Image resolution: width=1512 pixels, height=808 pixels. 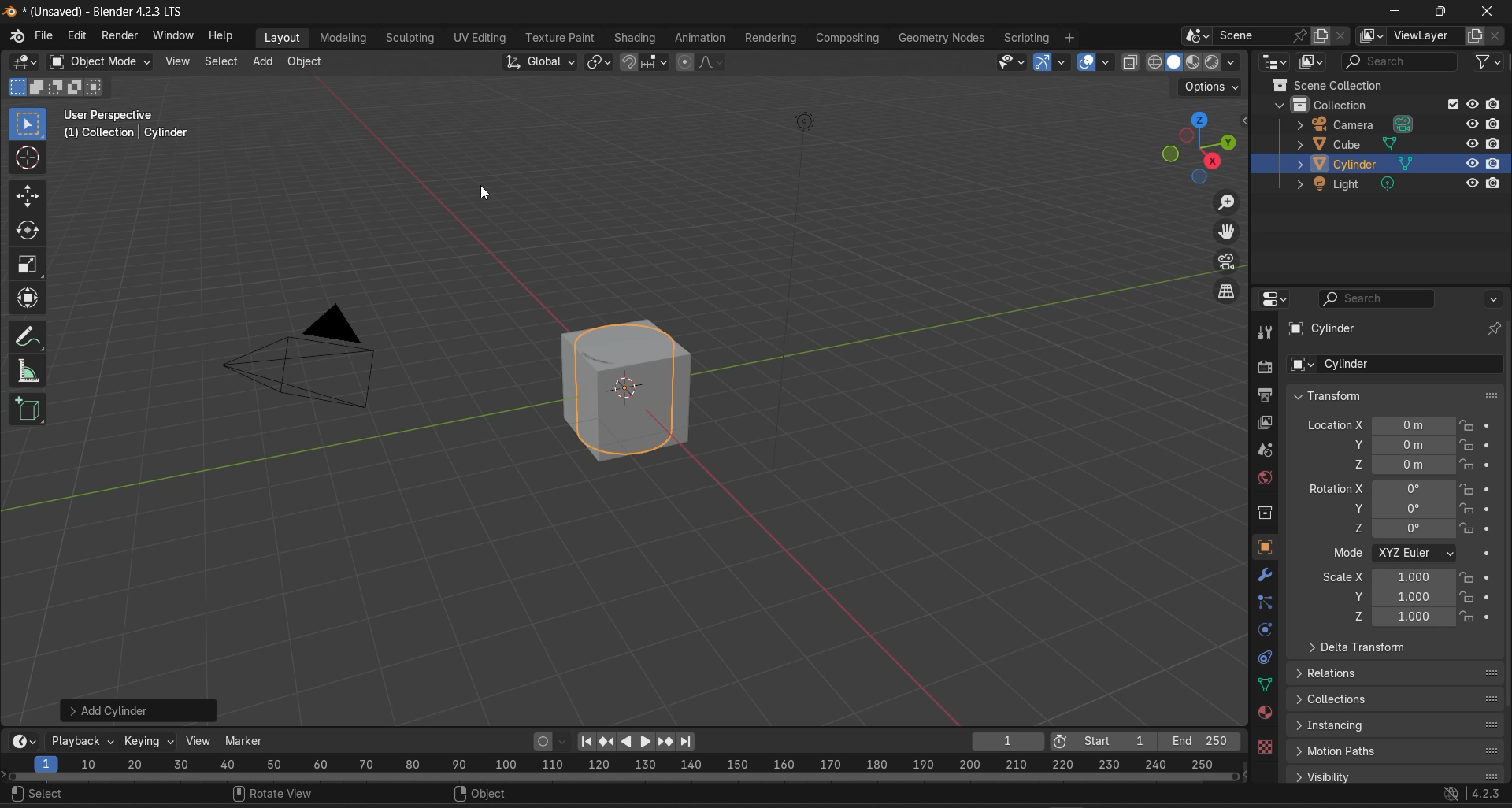 What do you see at coordinates (29, 160) in the screenshot?
I see `cursor` at bounding box center [29, 160].